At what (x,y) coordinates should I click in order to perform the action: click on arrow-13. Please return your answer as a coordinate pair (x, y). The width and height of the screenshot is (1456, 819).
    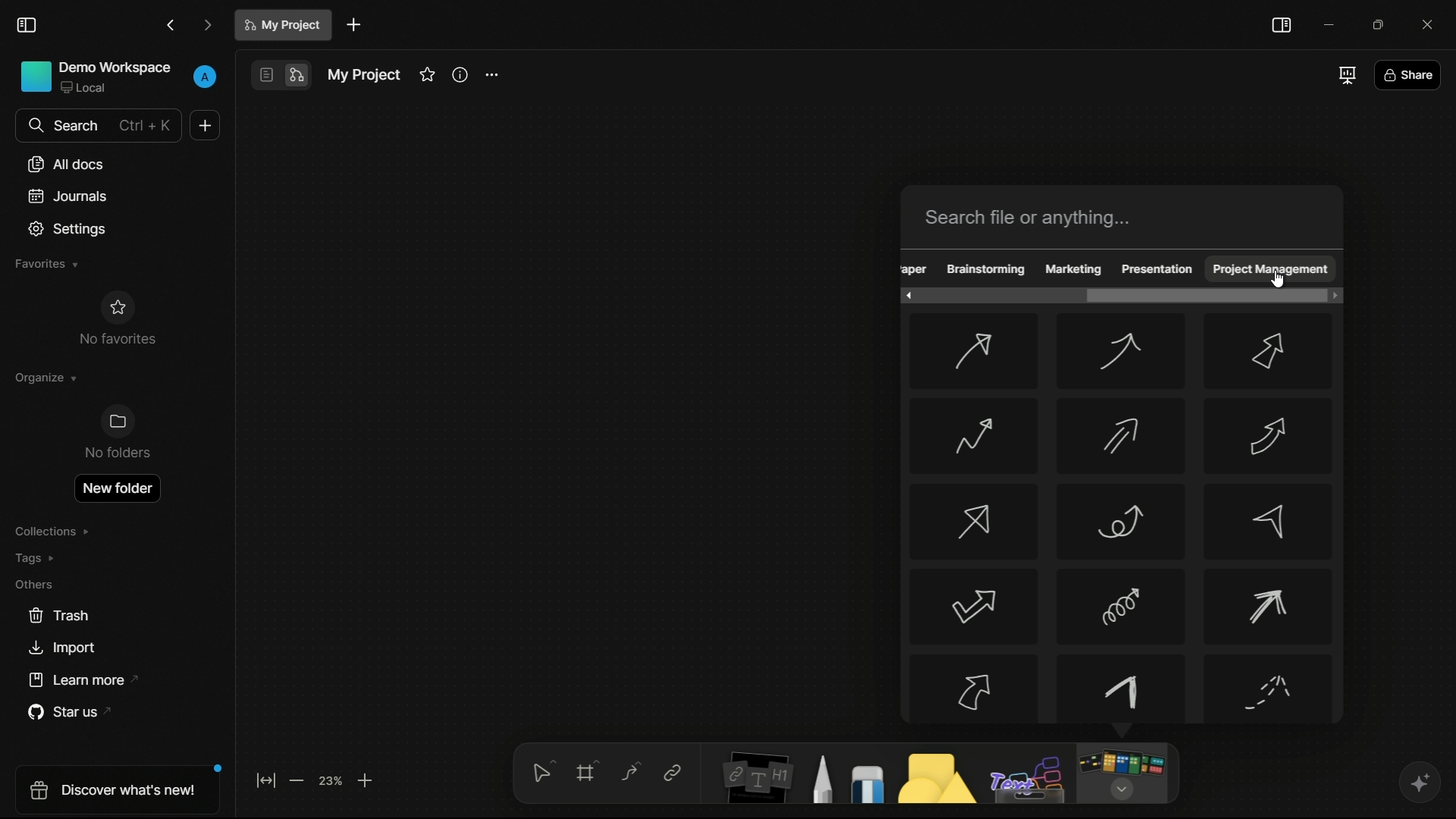
    Looking at the image, I should click on (973, 688).